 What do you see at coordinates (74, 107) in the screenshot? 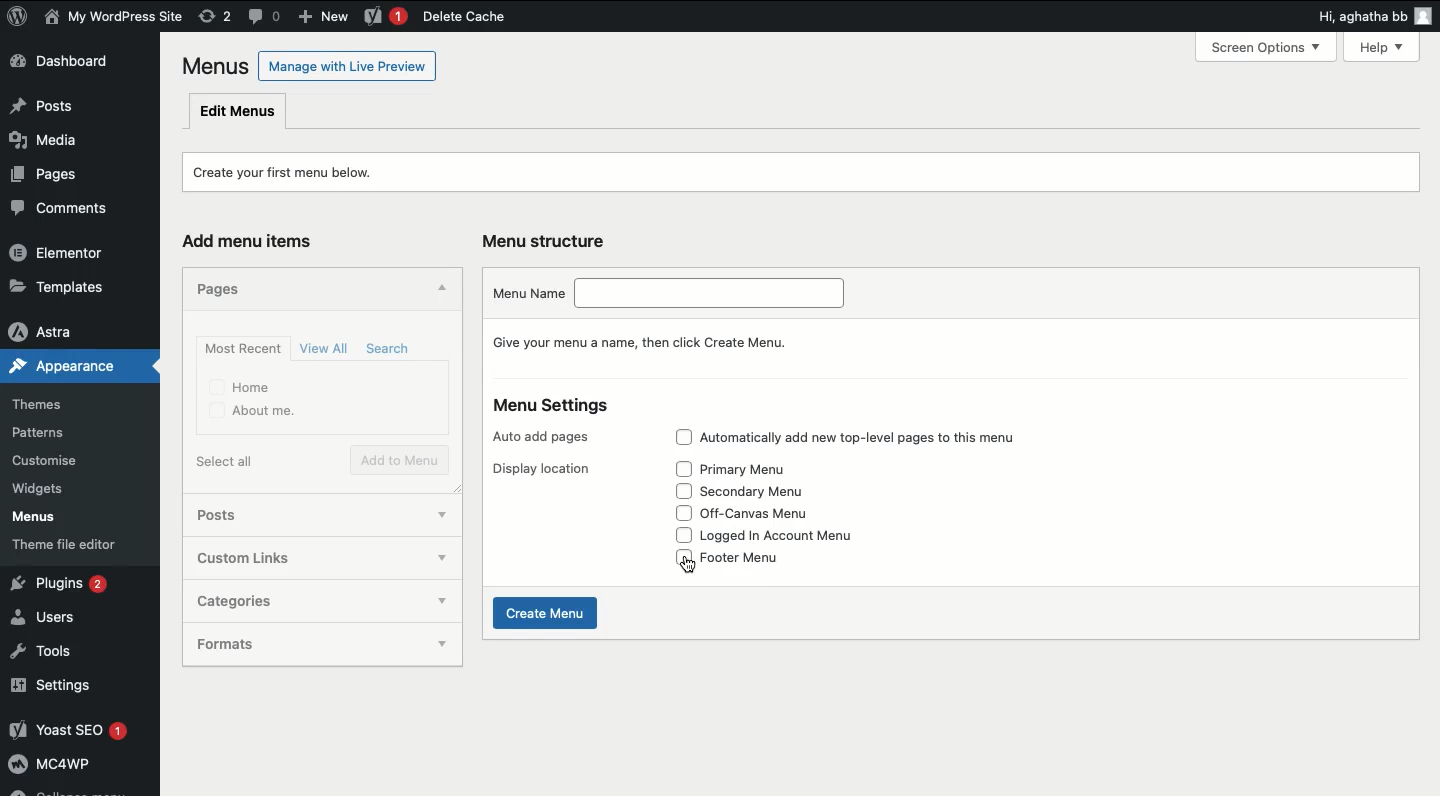
I see `Posts` at bounding box center [74, 107].